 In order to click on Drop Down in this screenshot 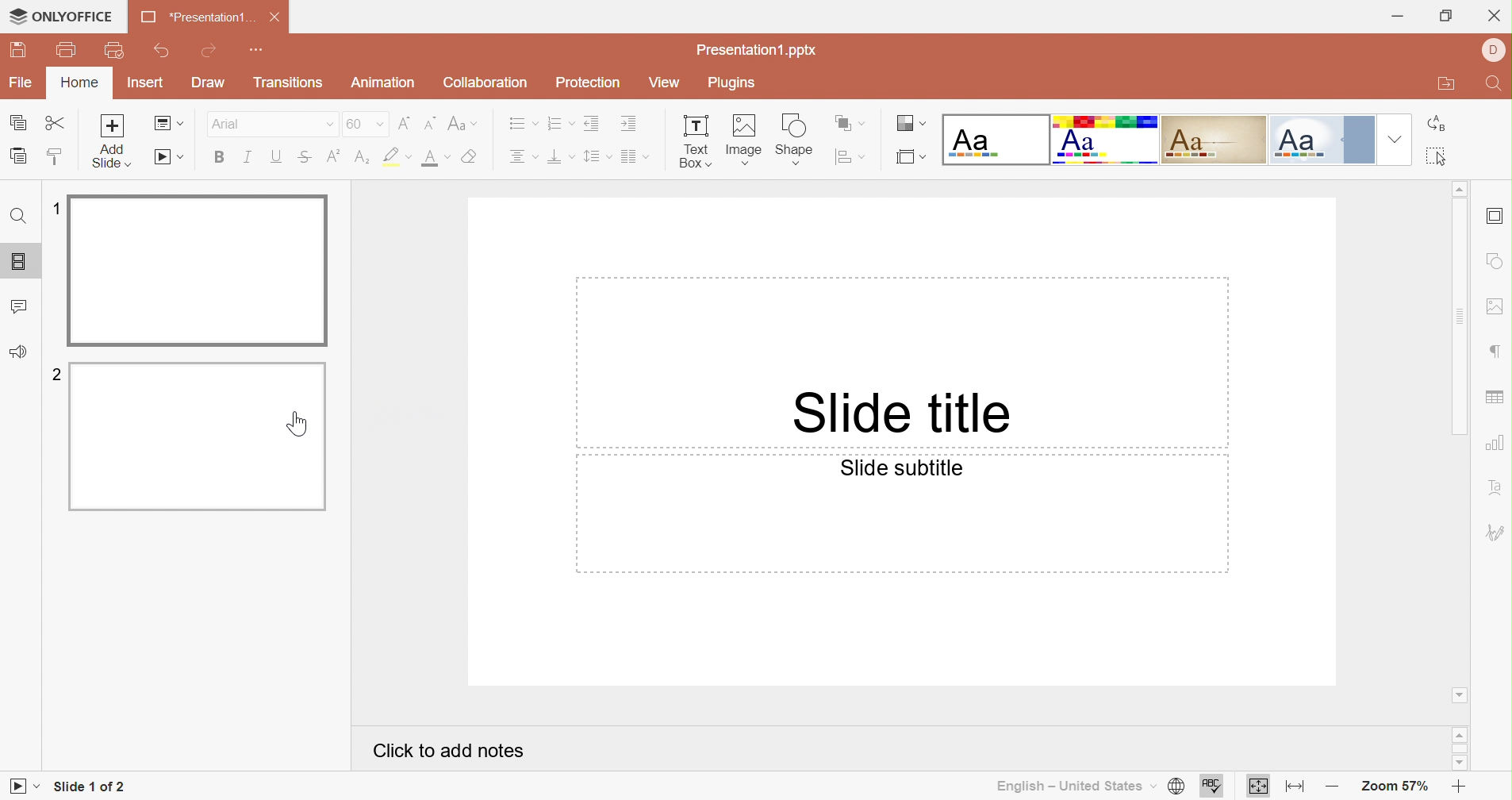, I will do `click(325, 125)`.